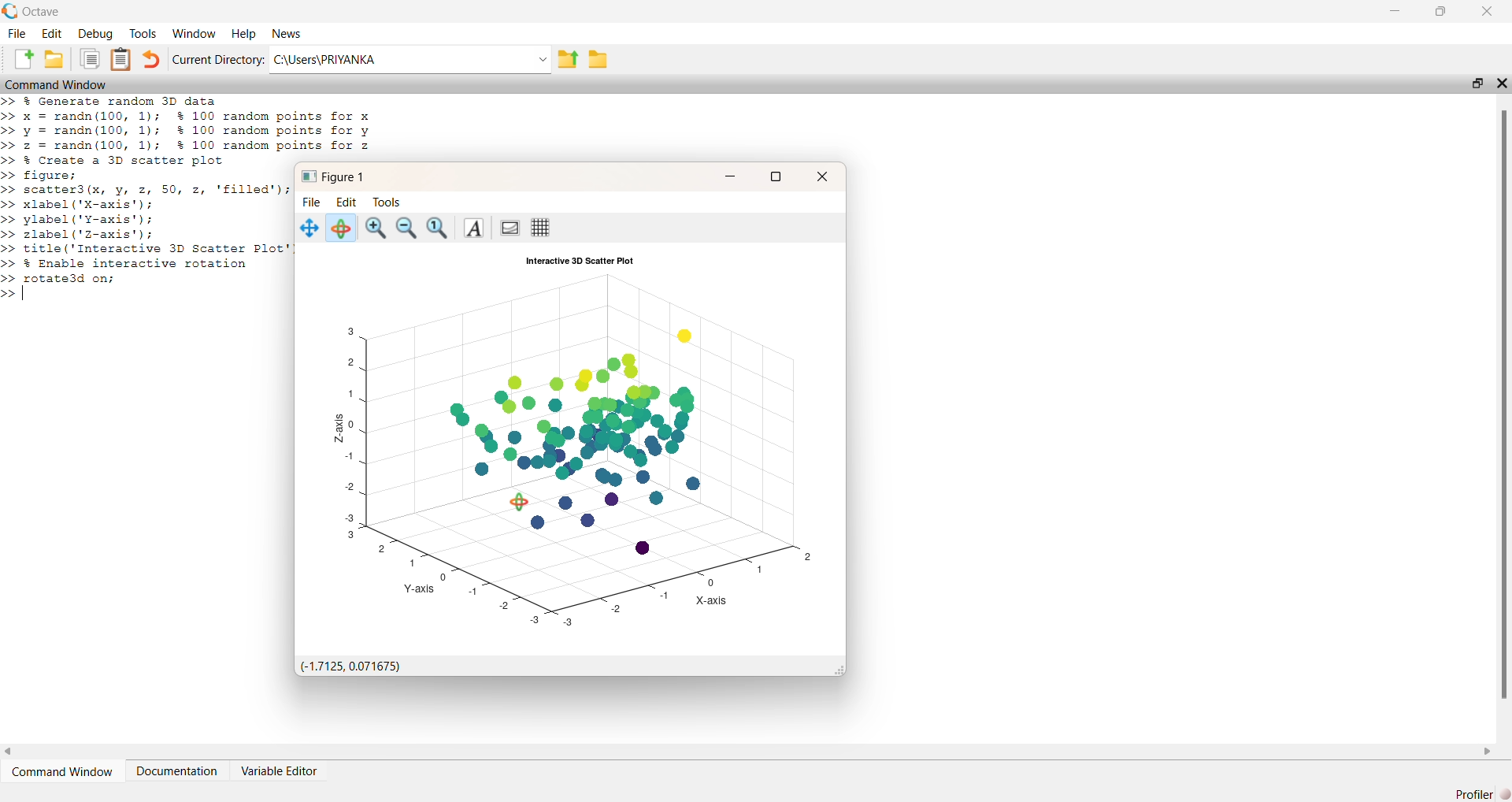 The height and width of the screenshot is (802, 1512). I want to click on C:\Users\PRIYANKA, so click(410, 59).